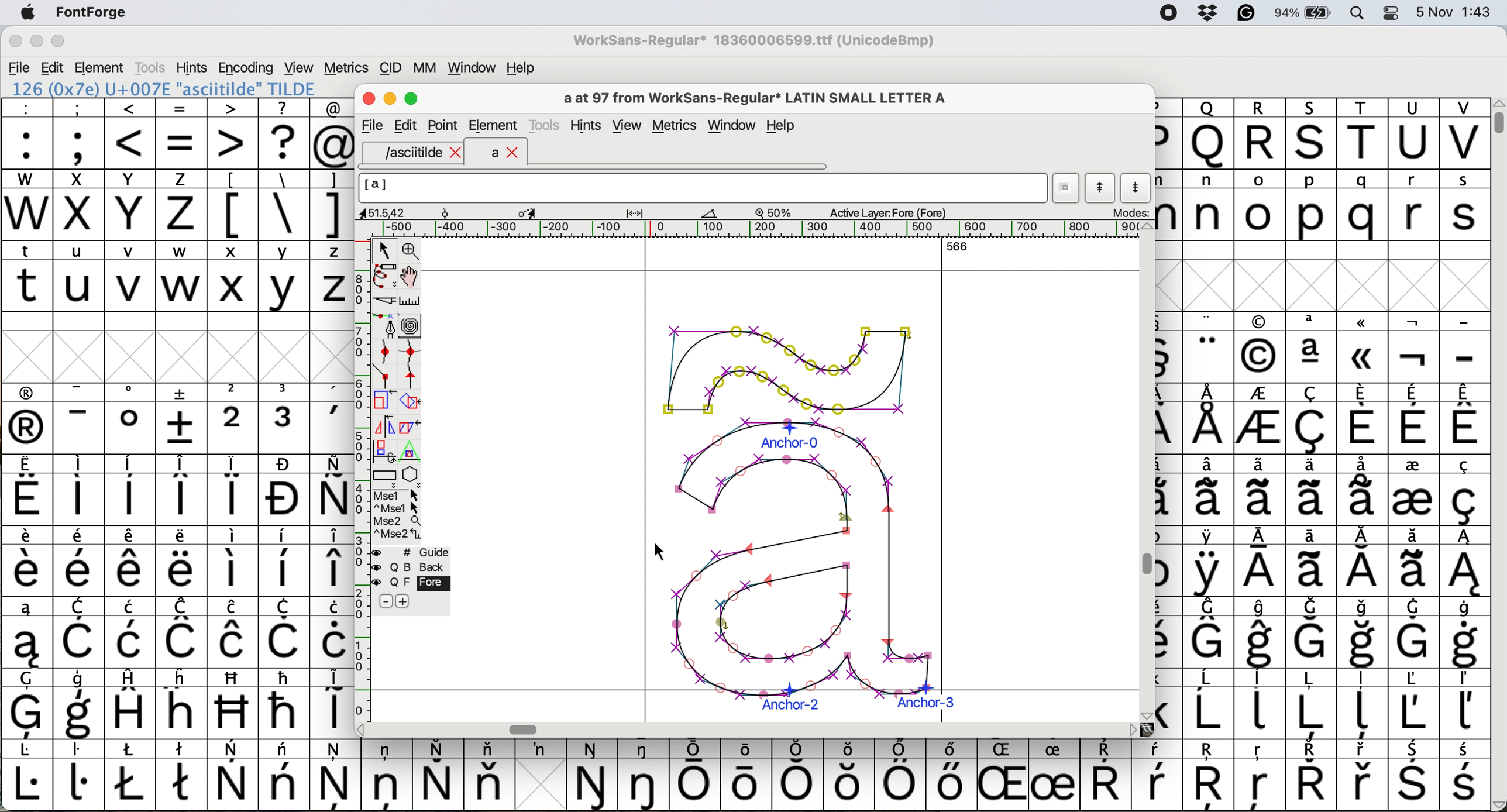 The height and width of the screenshot is (812, 1507). Describe the element at coordinates (410, 452) in the screenshot. I see `perform a perspective transformation on selection` at that location.